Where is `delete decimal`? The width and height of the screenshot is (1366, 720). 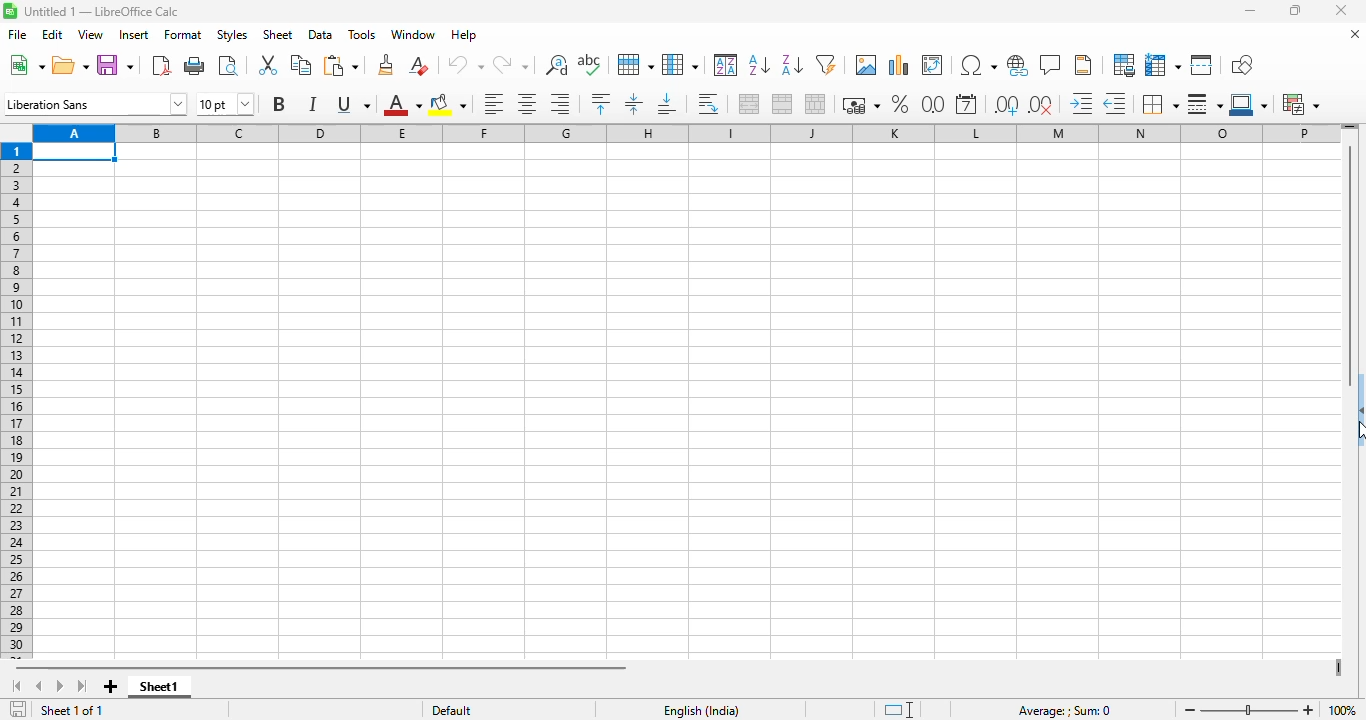 delete decimal is located at coordinates (1042, 105).